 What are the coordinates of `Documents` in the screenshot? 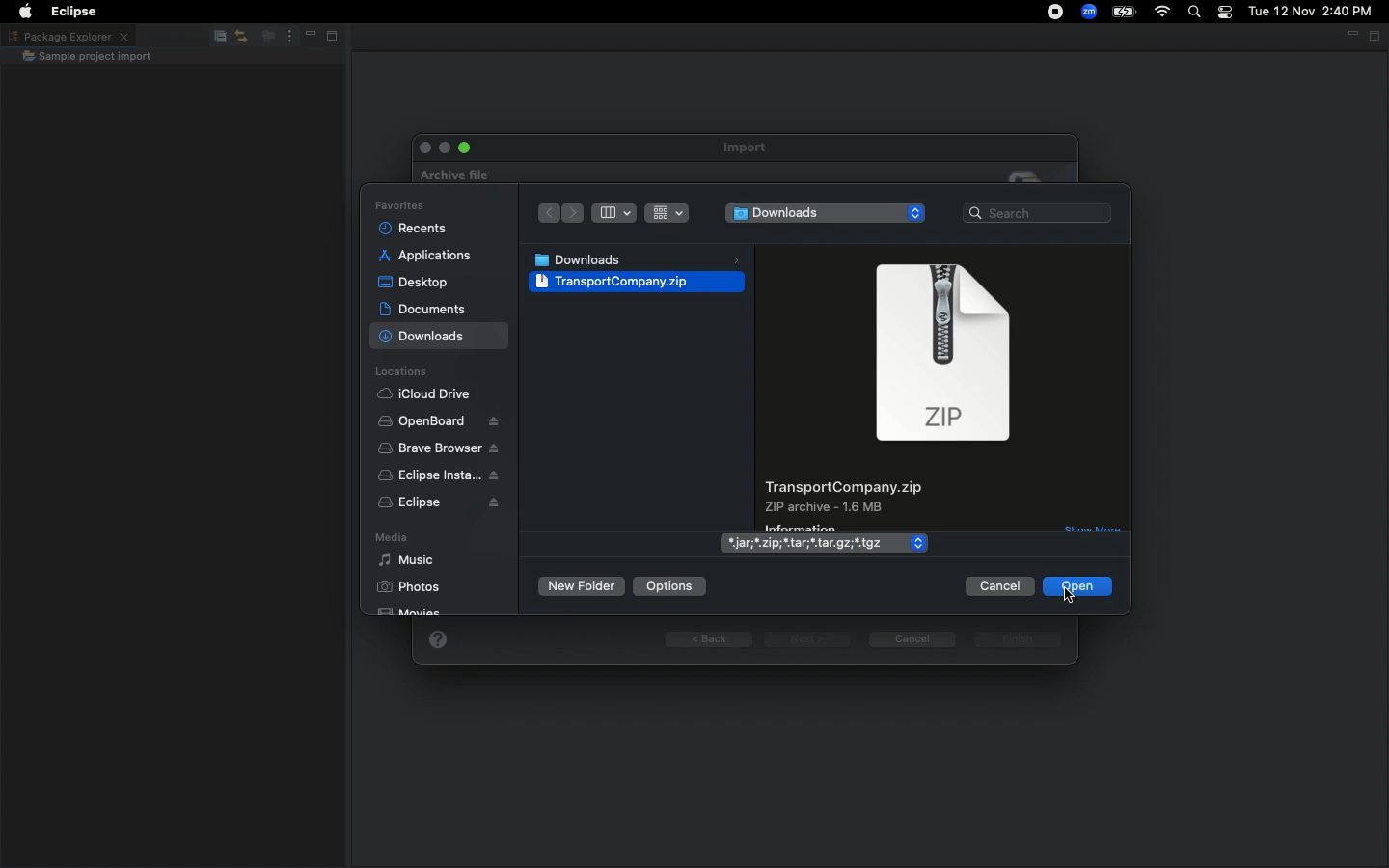 It's located at (424, 309).